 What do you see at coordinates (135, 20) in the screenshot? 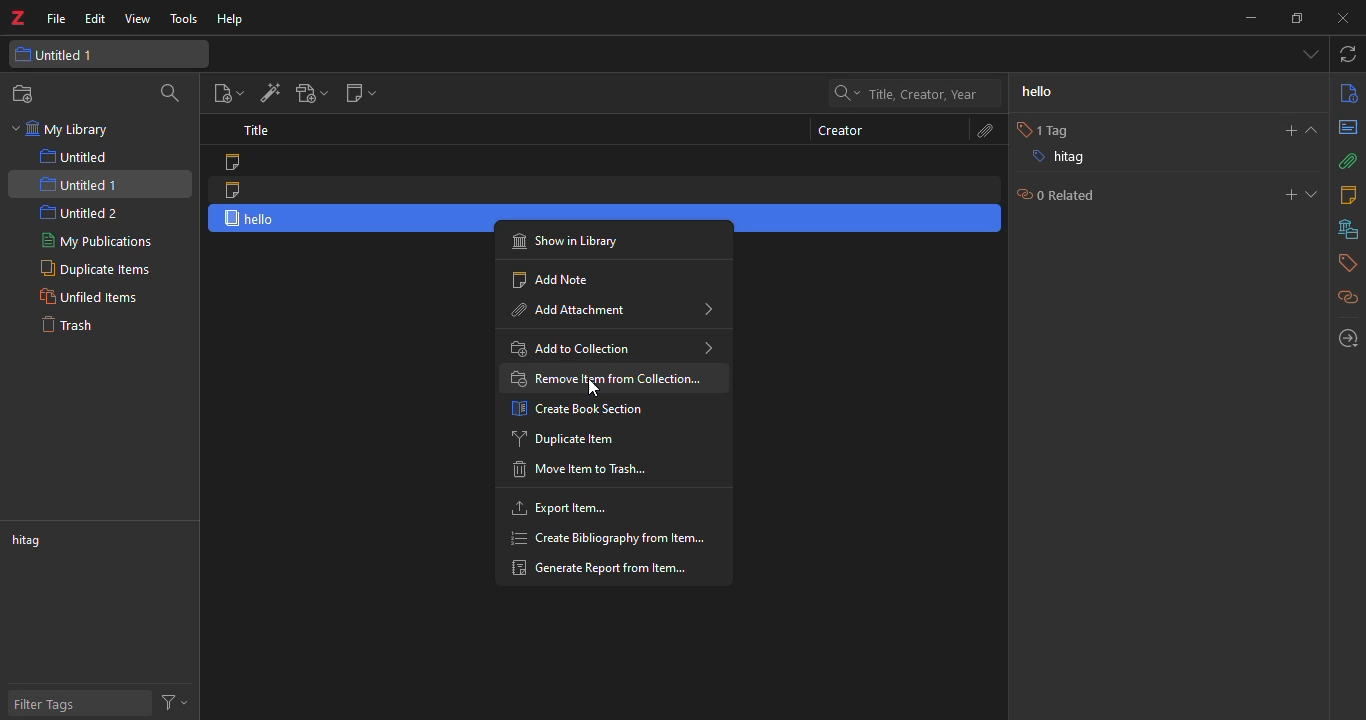
I see `view` at bounding box center [135, 20].